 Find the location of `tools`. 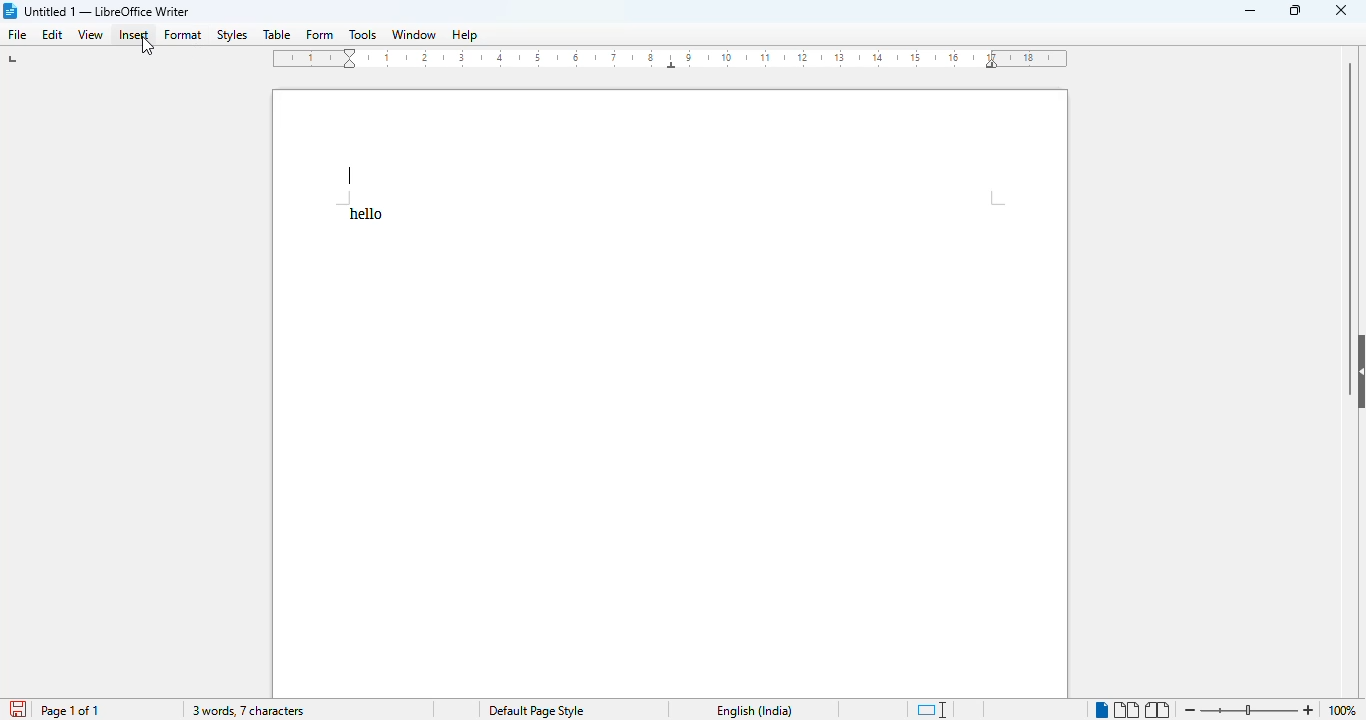

tools is located at coordinates (362, 34).